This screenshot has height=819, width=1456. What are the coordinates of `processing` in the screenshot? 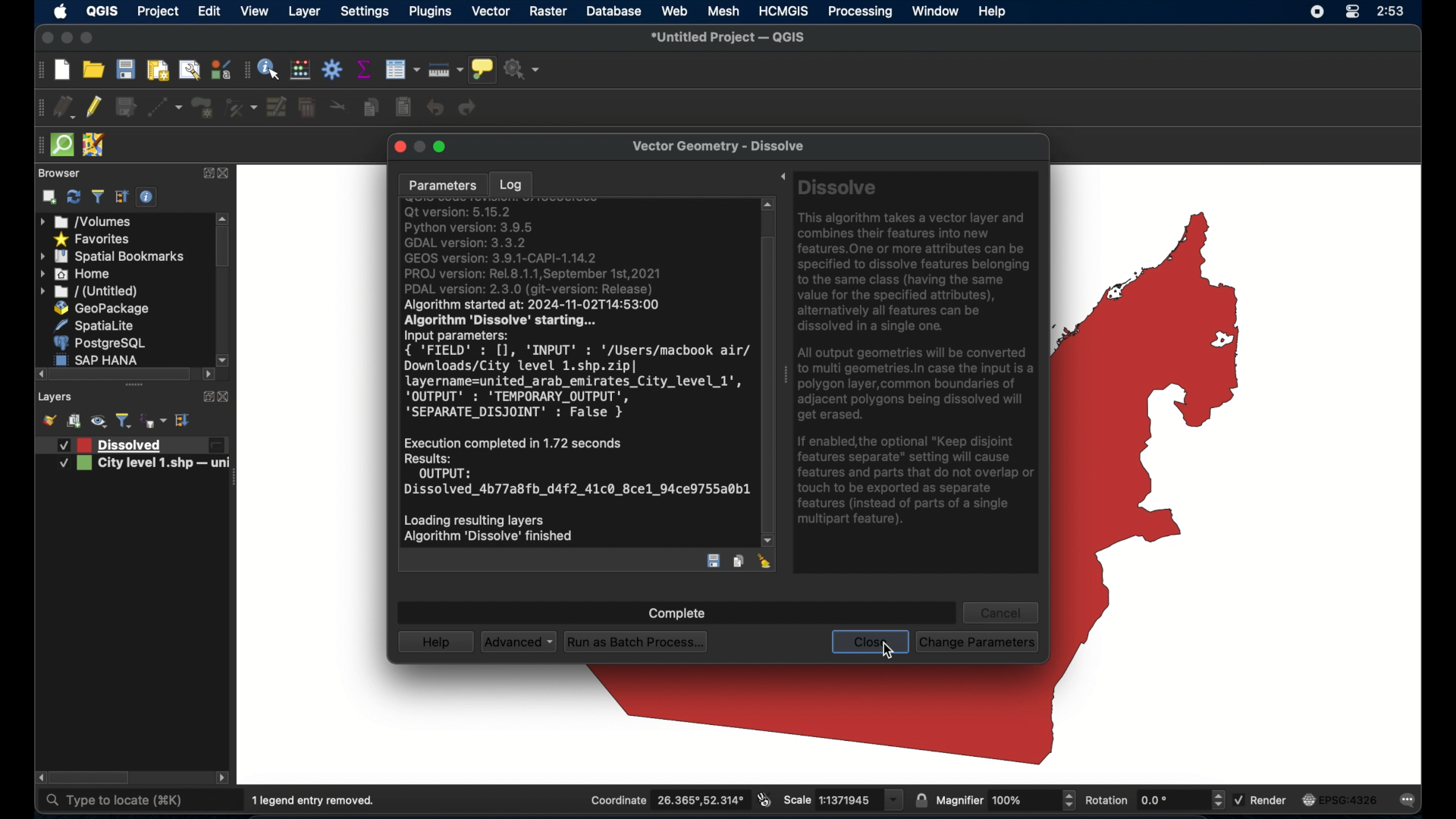 It's located at (859, 12).